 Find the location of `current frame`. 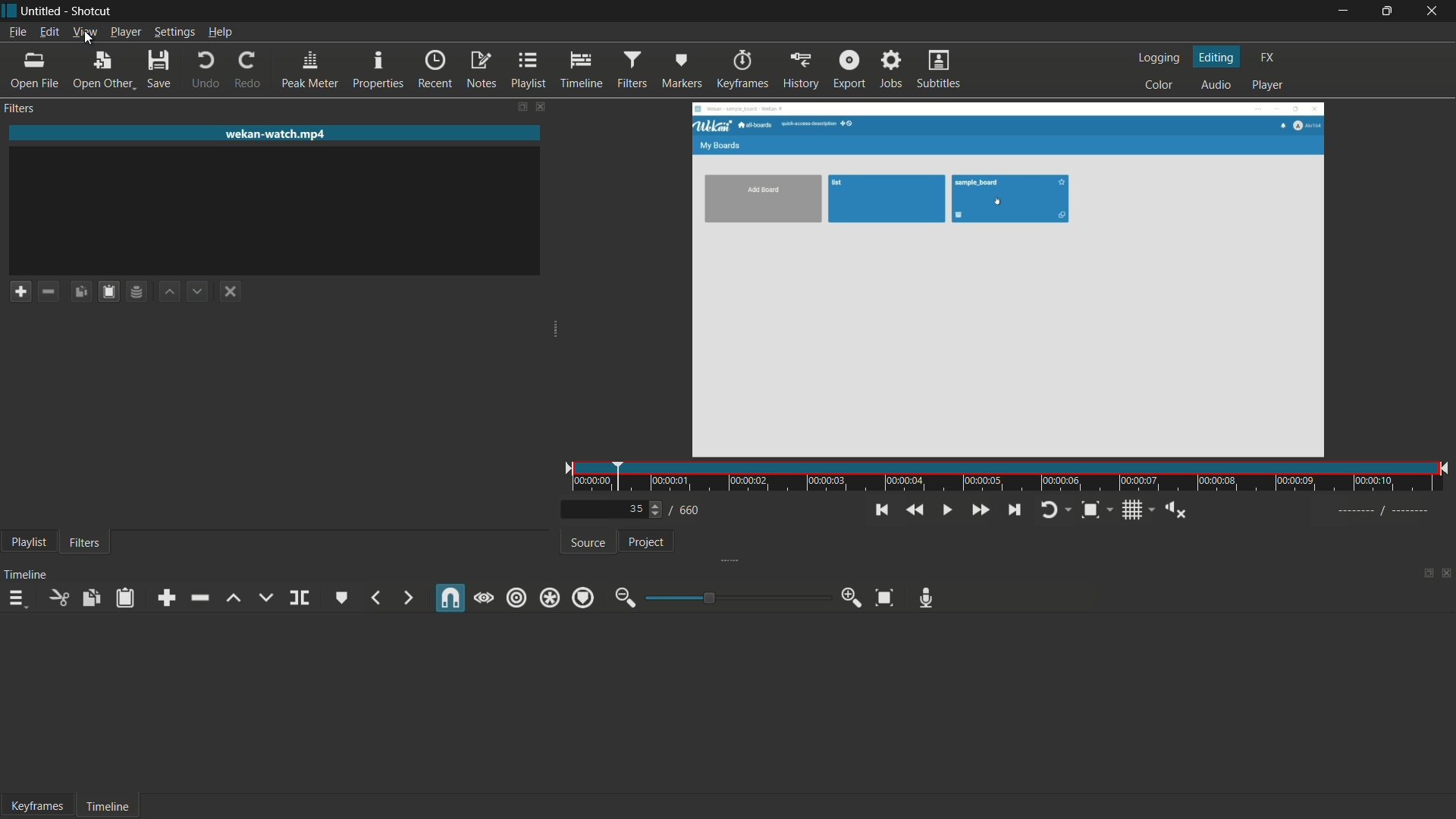

current frame is located at coordinates (639, 510).